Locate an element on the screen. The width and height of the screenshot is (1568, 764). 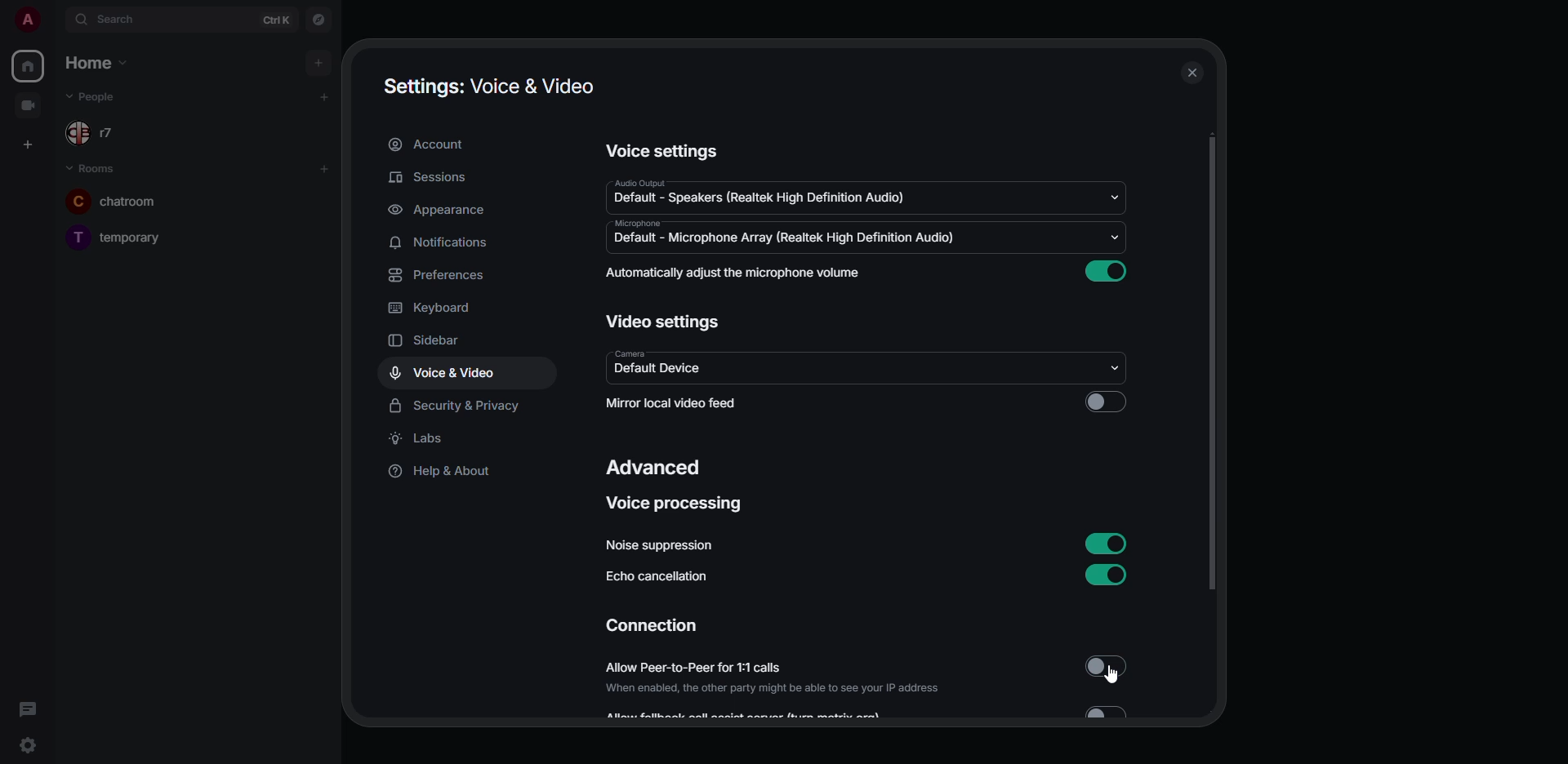
automatically adjust mic volume is located at coordinates (733, 273).